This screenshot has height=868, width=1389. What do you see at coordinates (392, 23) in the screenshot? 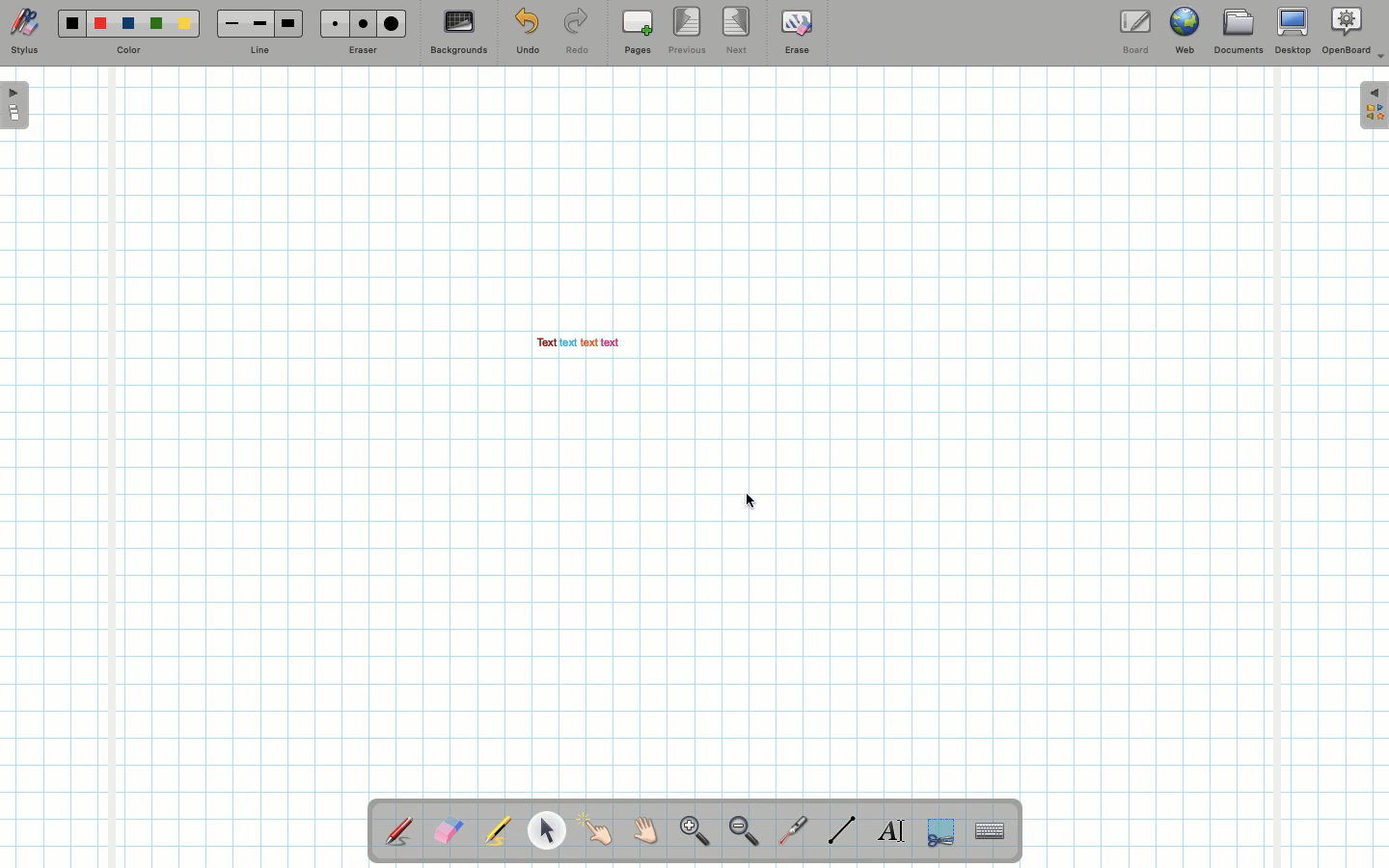
I see `Large eraser` at bounding box center [392, 23].